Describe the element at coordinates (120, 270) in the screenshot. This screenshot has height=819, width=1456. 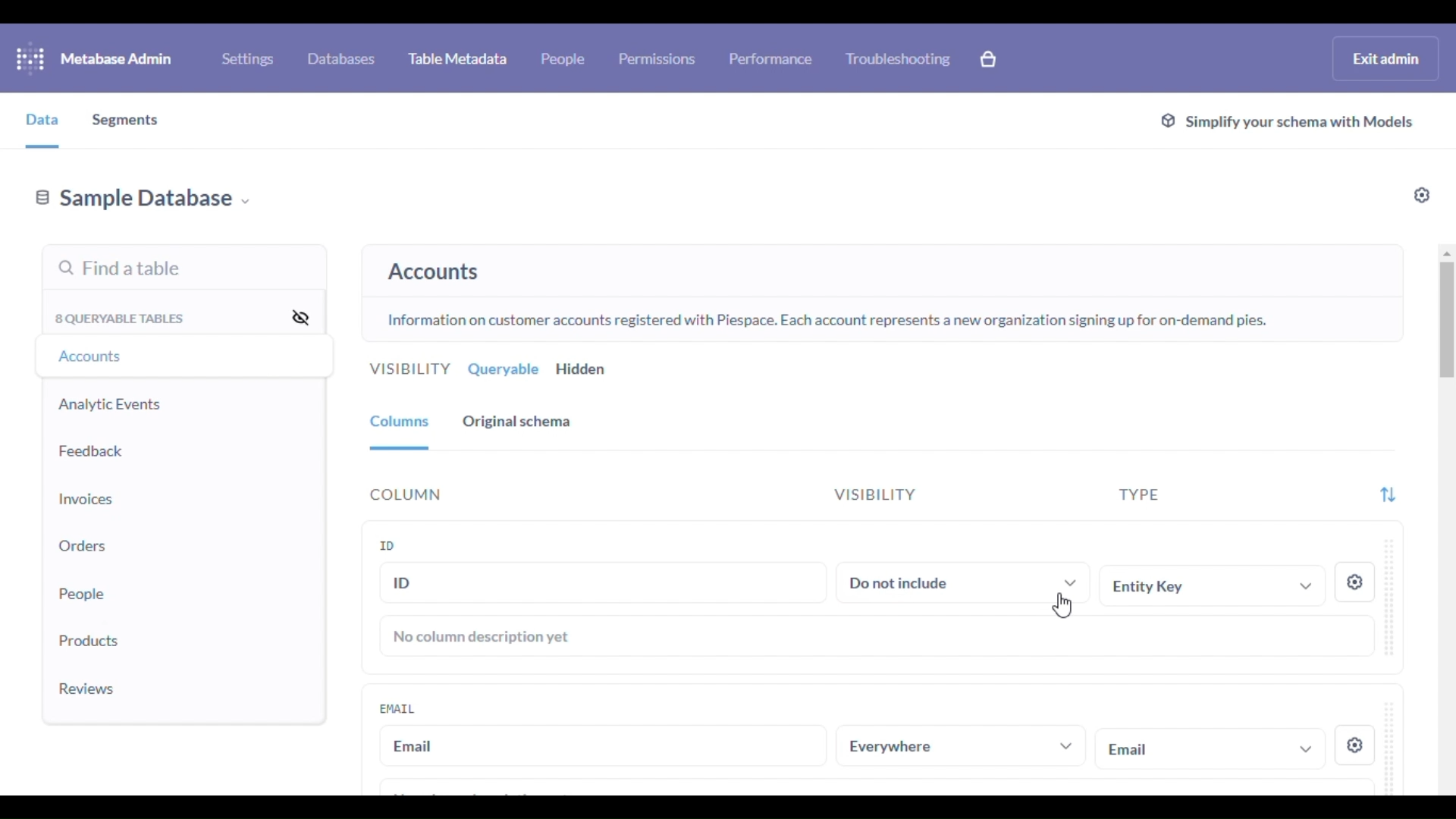
I see `find a table` at that location.